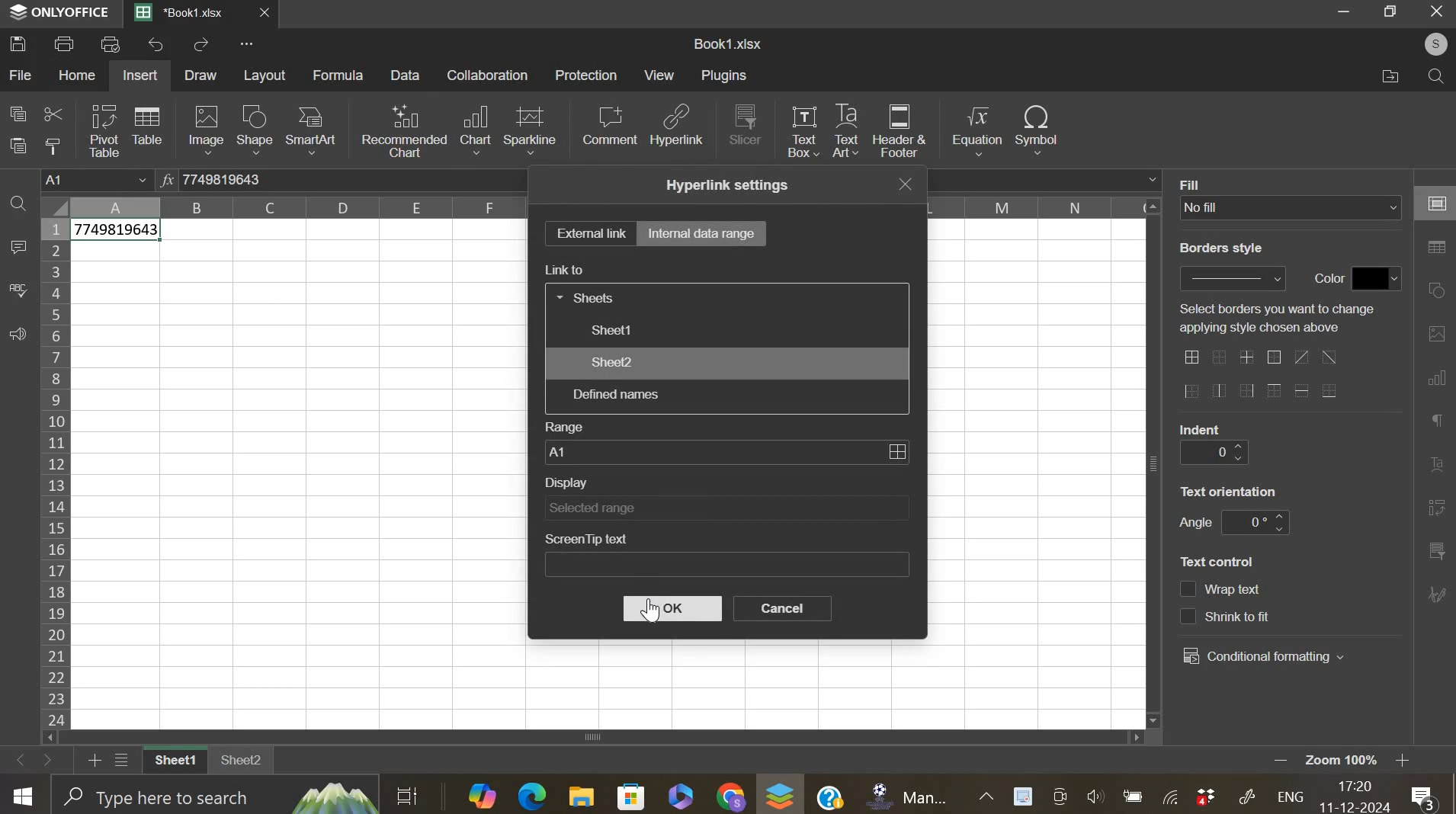 This screenshot has width=1456, height=814. Describe the element at coordinates (1432, 76) in the screenshot. I see `find` at that location.